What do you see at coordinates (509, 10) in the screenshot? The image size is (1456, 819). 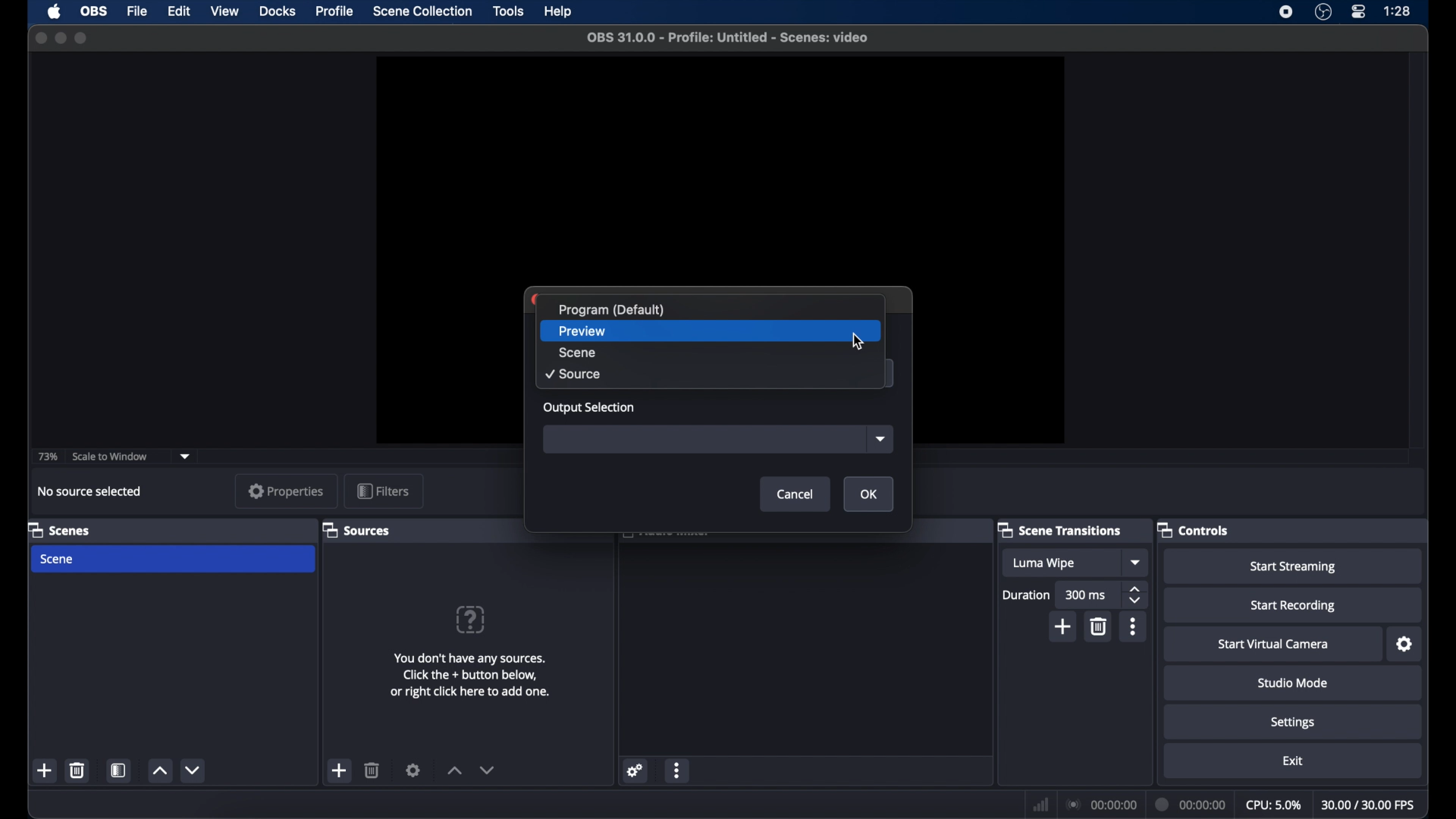 I see `tools` at bounding box center [509, 10].